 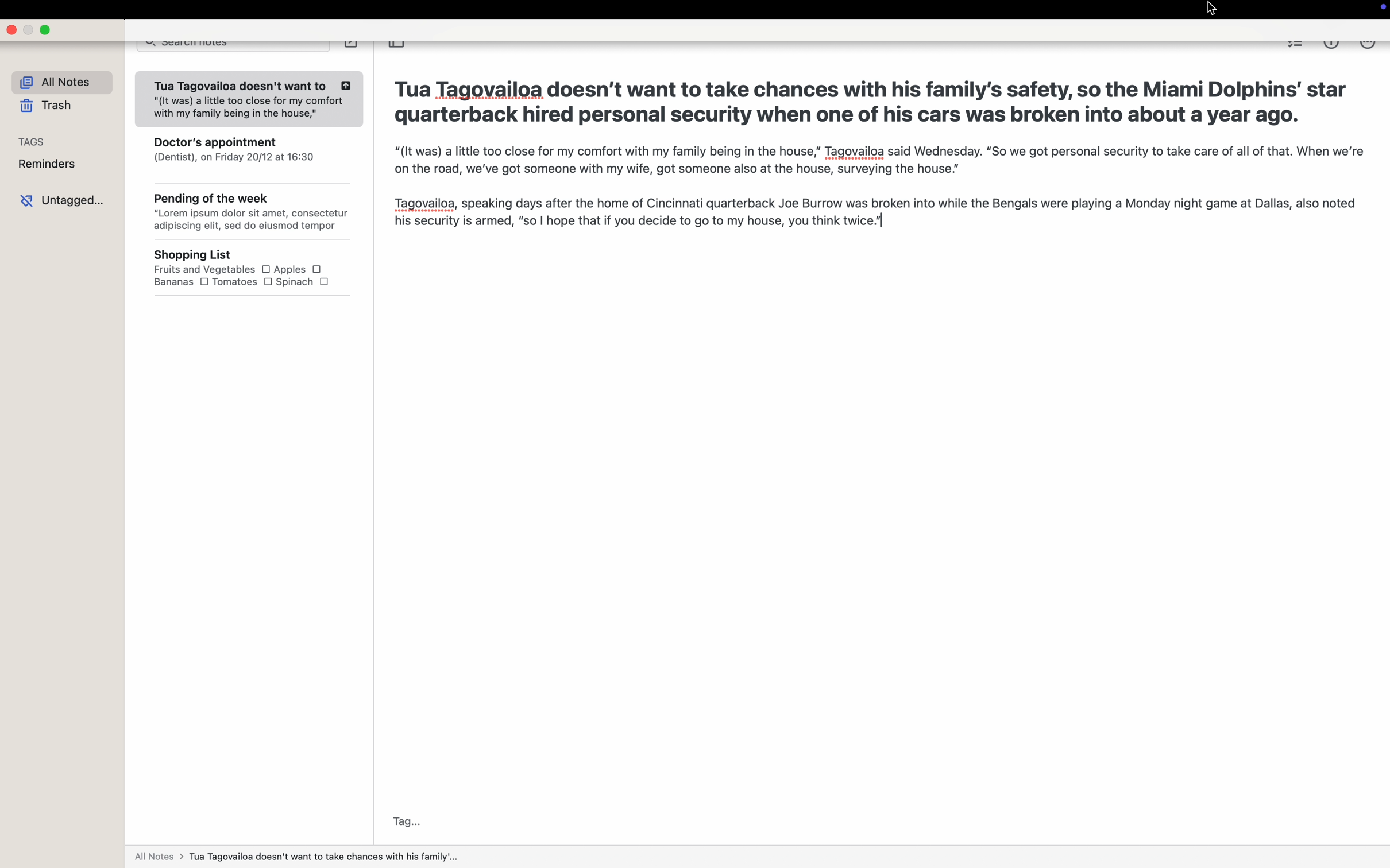 I want to click on tags, so click(x=27, y=141).